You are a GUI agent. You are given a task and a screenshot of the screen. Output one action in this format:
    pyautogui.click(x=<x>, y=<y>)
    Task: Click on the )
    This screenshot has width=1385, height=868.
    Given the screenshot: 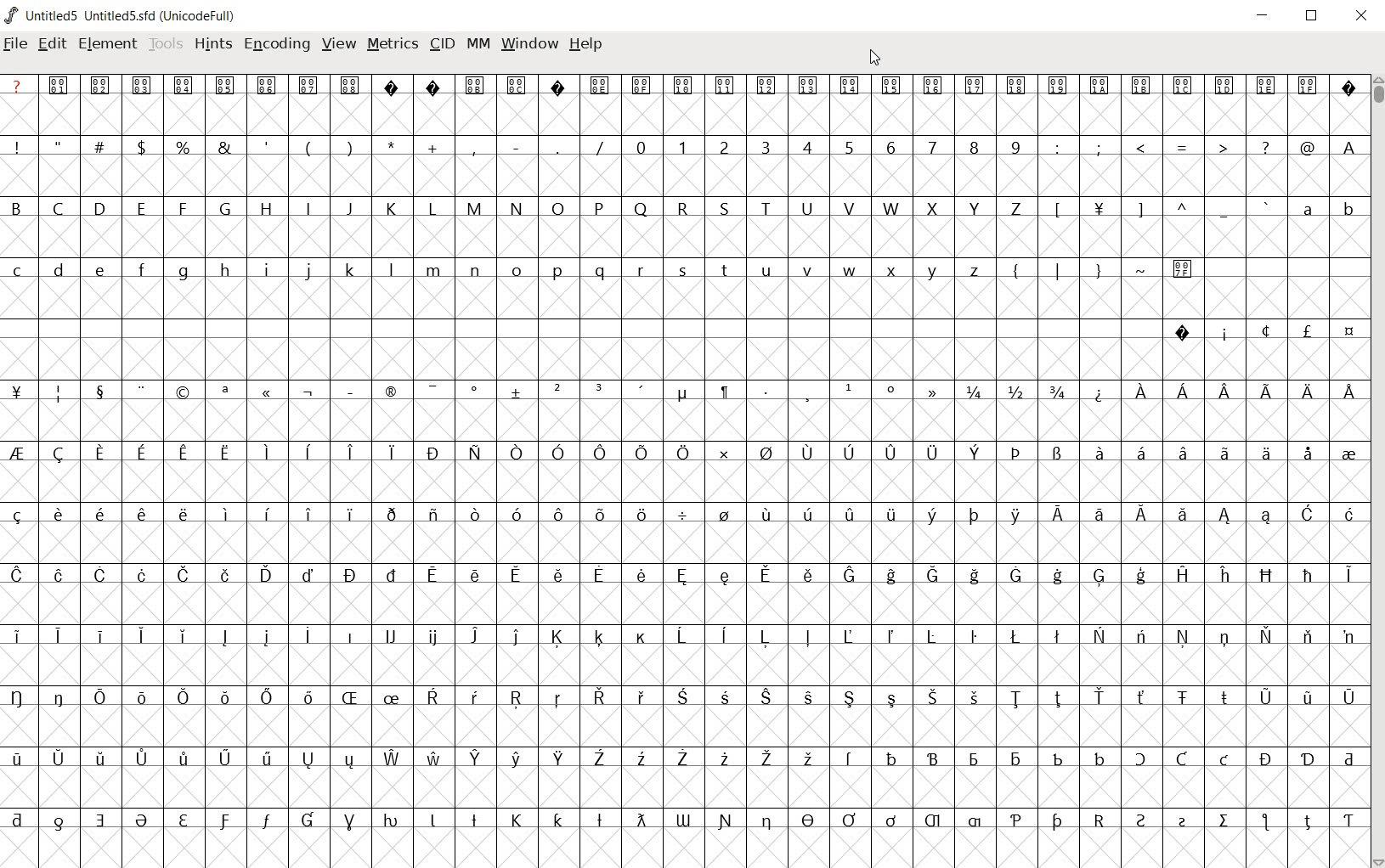 What is the action you would take?
    pyautogui.click(x=352, y=146)
    